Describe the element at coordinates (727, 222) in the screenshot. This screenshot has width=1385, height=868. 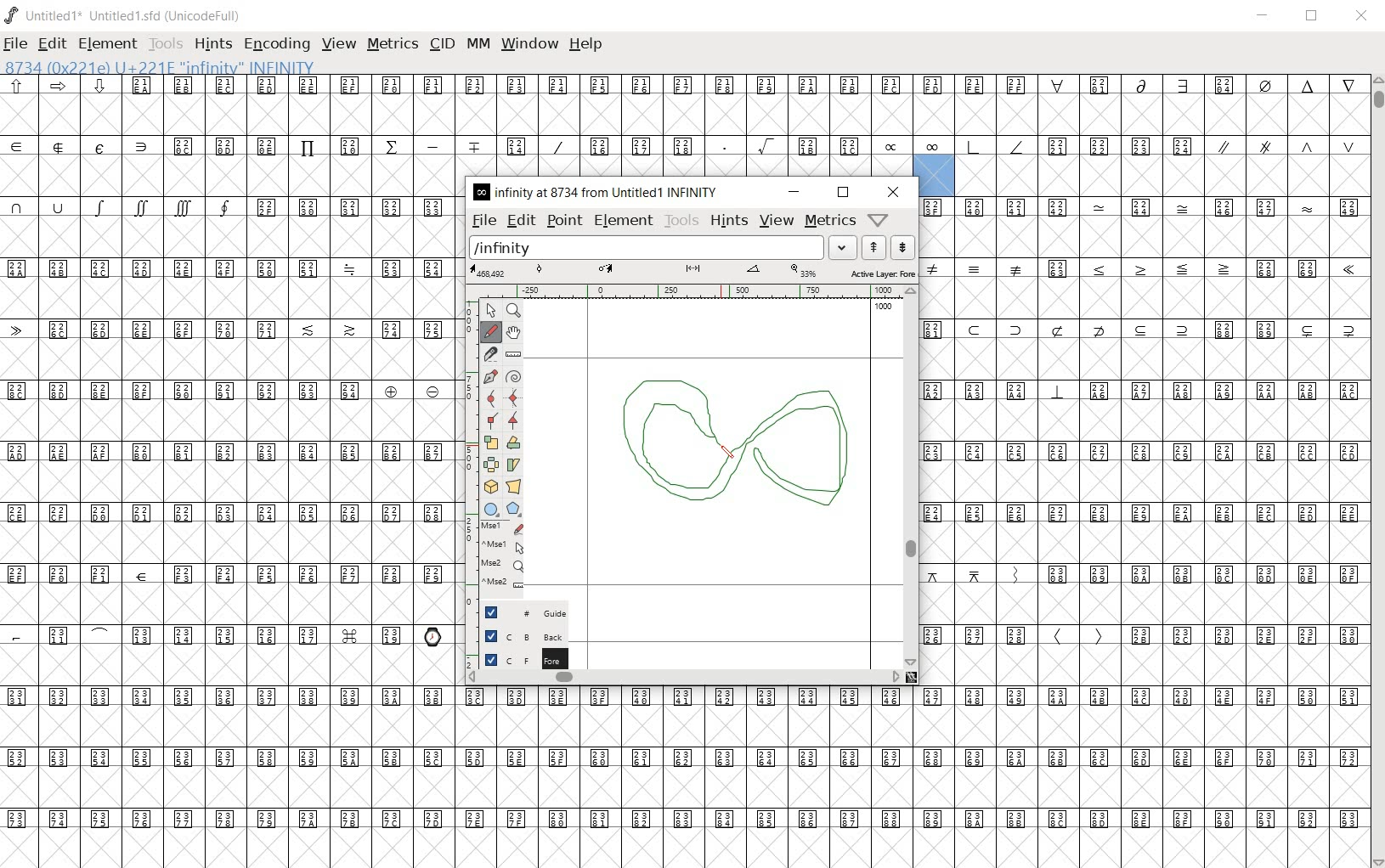
I see `hints` at that location.